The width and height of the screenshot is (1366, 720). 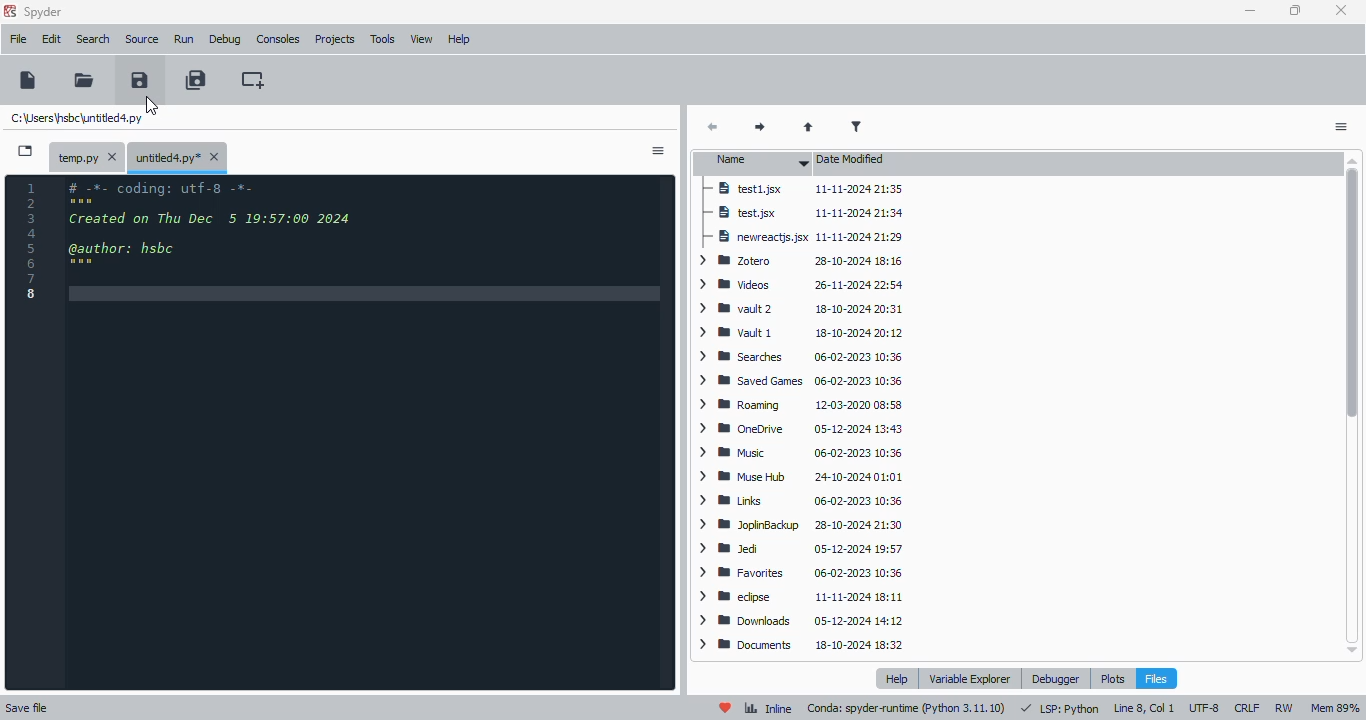 I want to click on file names, so click(x=750, y=416).